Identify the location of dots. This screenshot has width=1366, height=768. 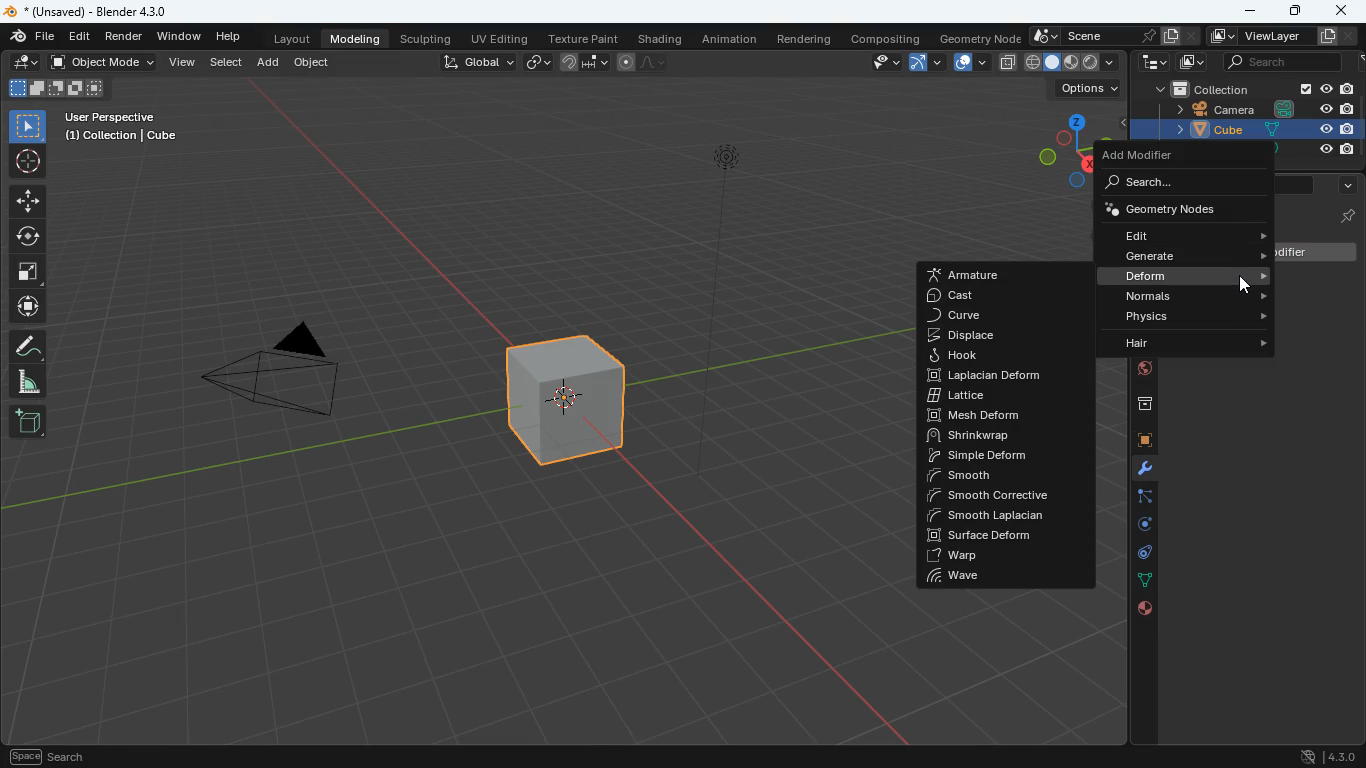
(1145, 583).